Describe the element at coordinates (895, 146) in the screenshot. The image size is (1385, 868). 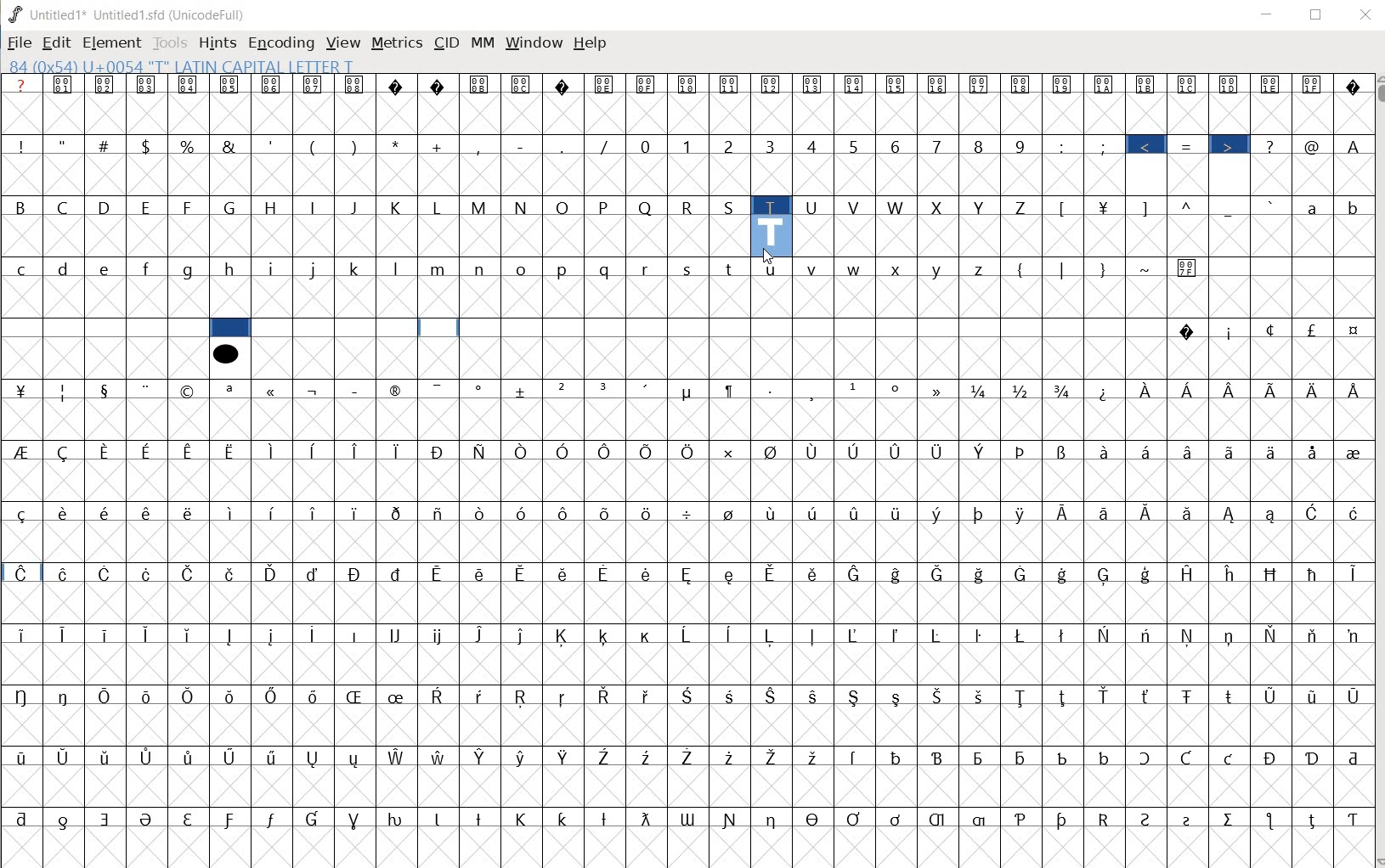
I see `6` at that location.